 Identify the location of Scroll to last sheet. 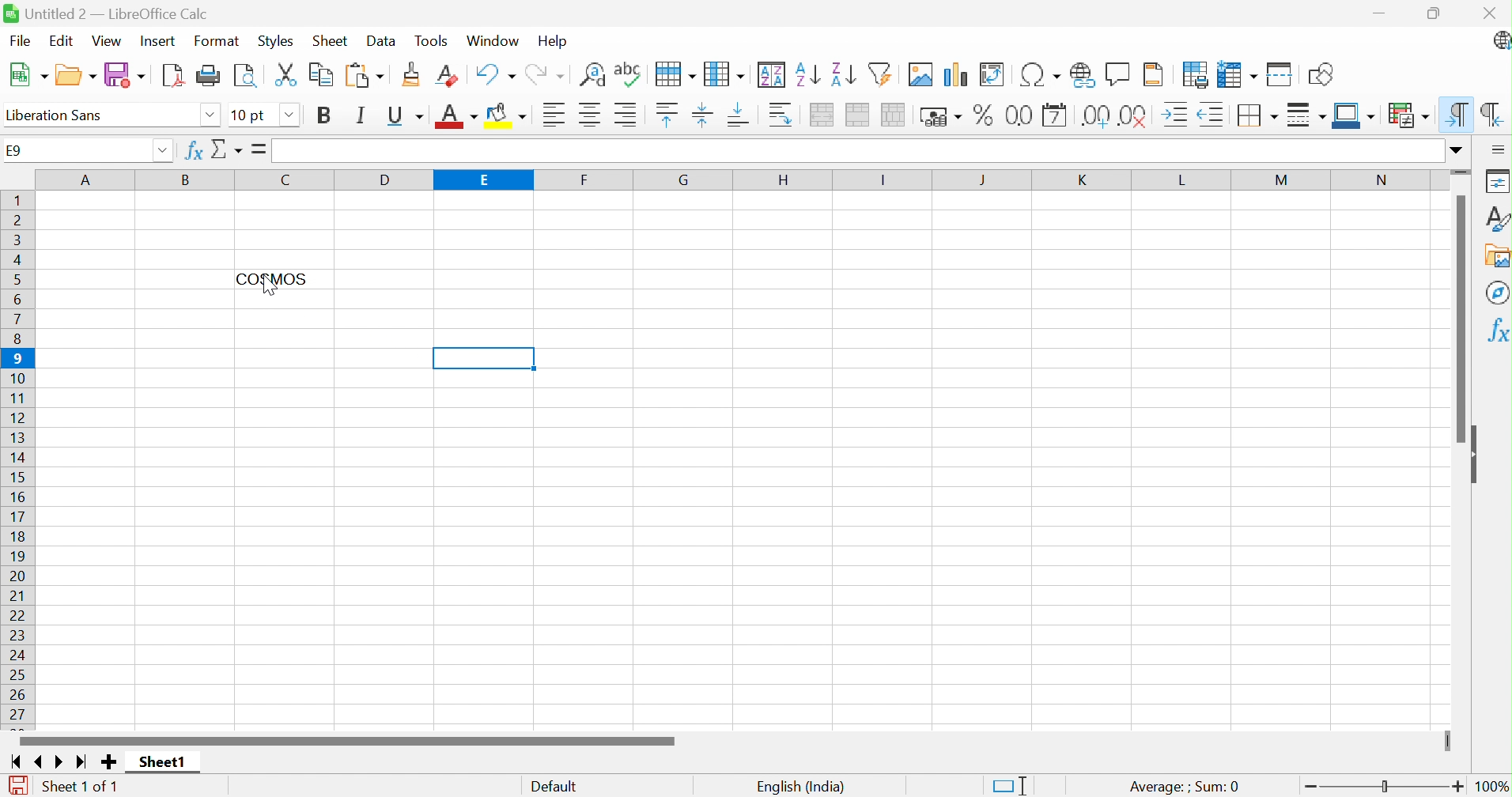
(82, 764).